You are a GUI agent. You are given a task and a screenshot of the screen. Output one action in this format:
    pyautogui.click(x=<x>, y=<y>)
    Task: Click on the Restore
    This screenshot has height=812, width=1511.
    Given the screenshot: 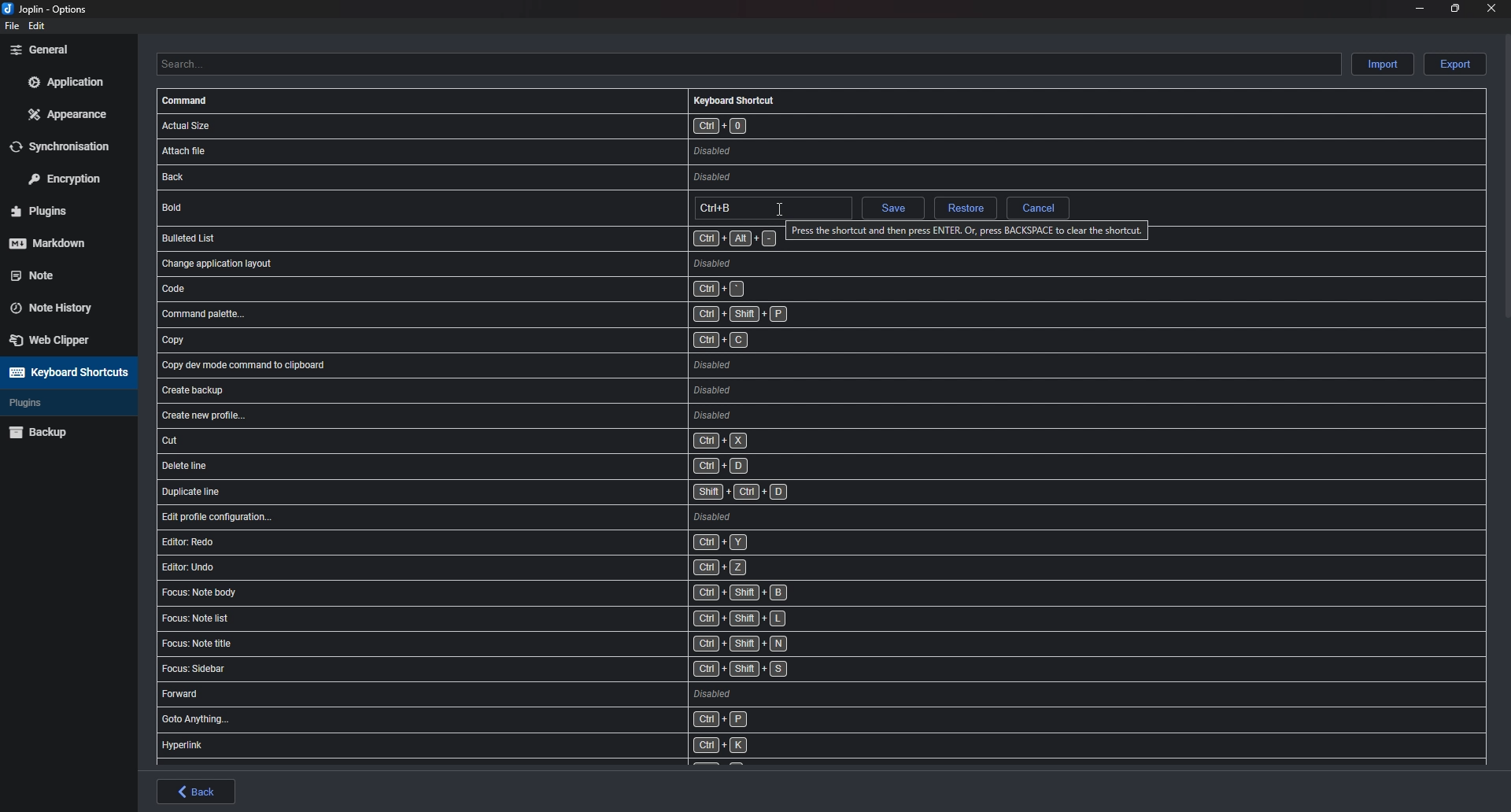 What is the action you would take?
    pyautogui.click(x=964, y=209)
    